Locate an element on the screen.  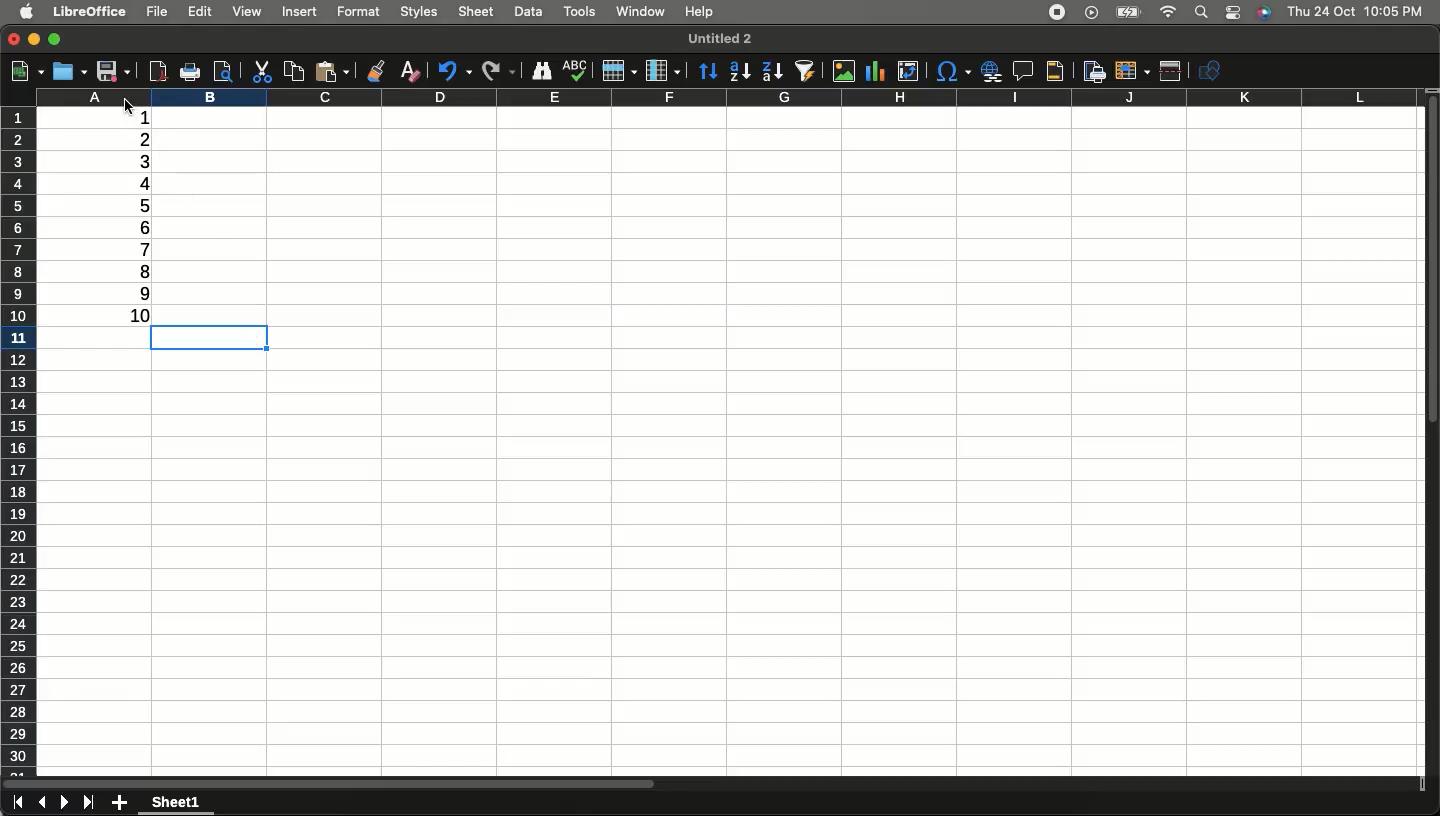
5 is located at coordinates (142, 206).